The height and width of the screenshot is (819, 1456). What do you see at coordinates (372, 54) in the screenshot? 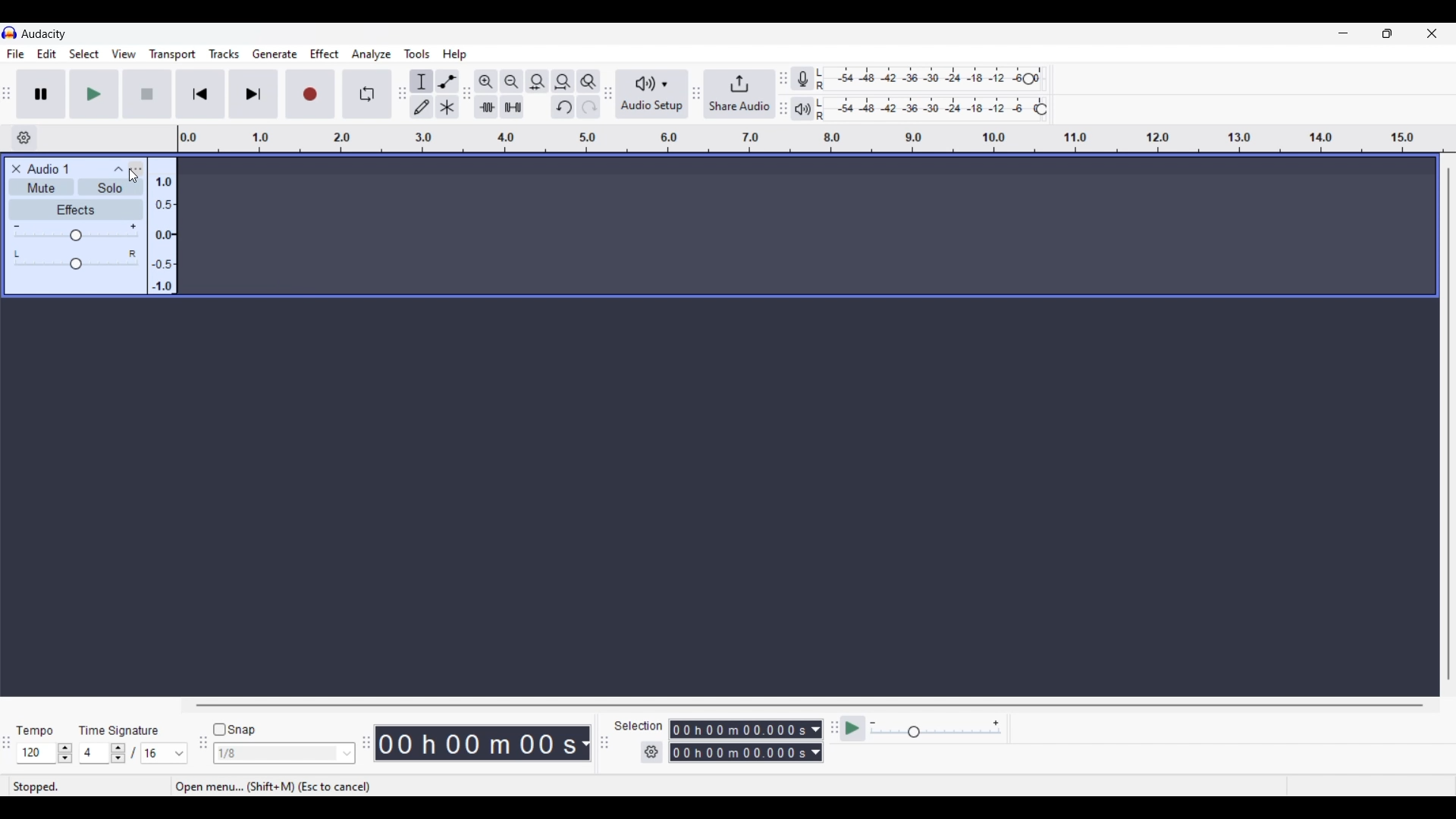
I see `Analyze menu` at bounding box center [372, 54].